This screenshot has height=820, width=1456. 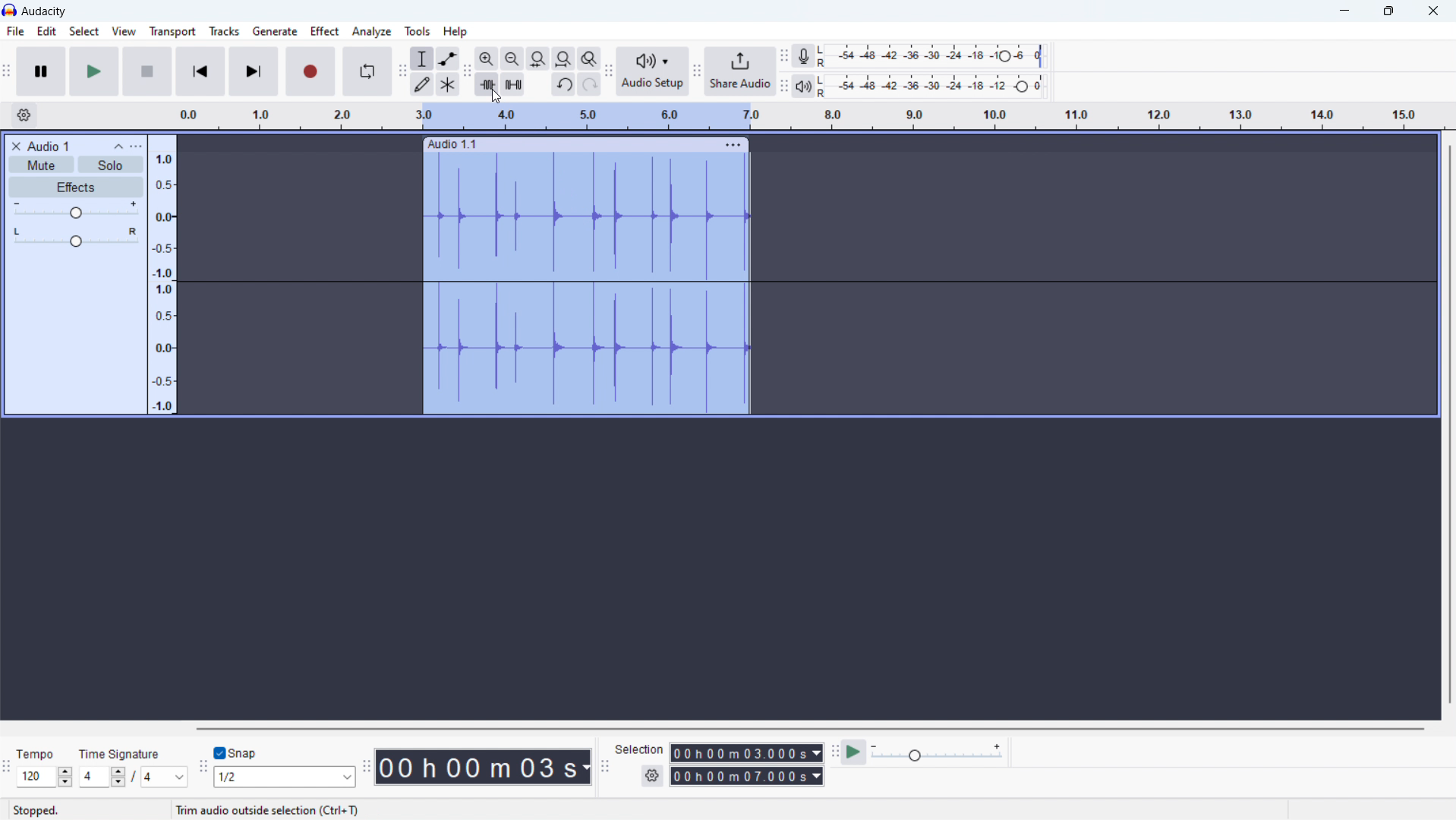 What do you see at coordinates (609, 71) in the screenshot?
I see `audio setup toolbar` at bounding box center [609, 71].